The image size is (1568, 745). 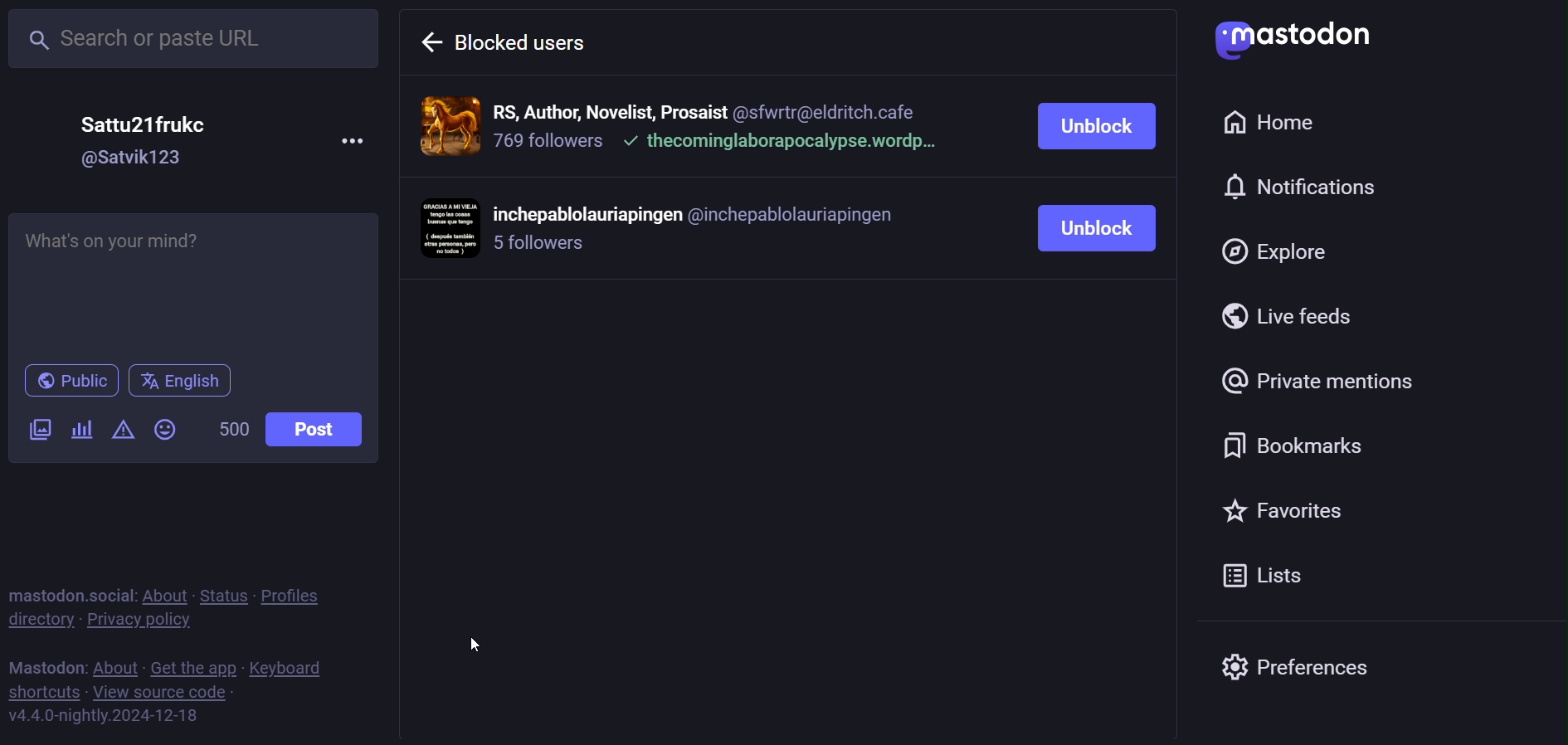 What do you see at coordinates (447, 125) in the screenshot?
I see `profile picture` at bounding box center [447, 125].